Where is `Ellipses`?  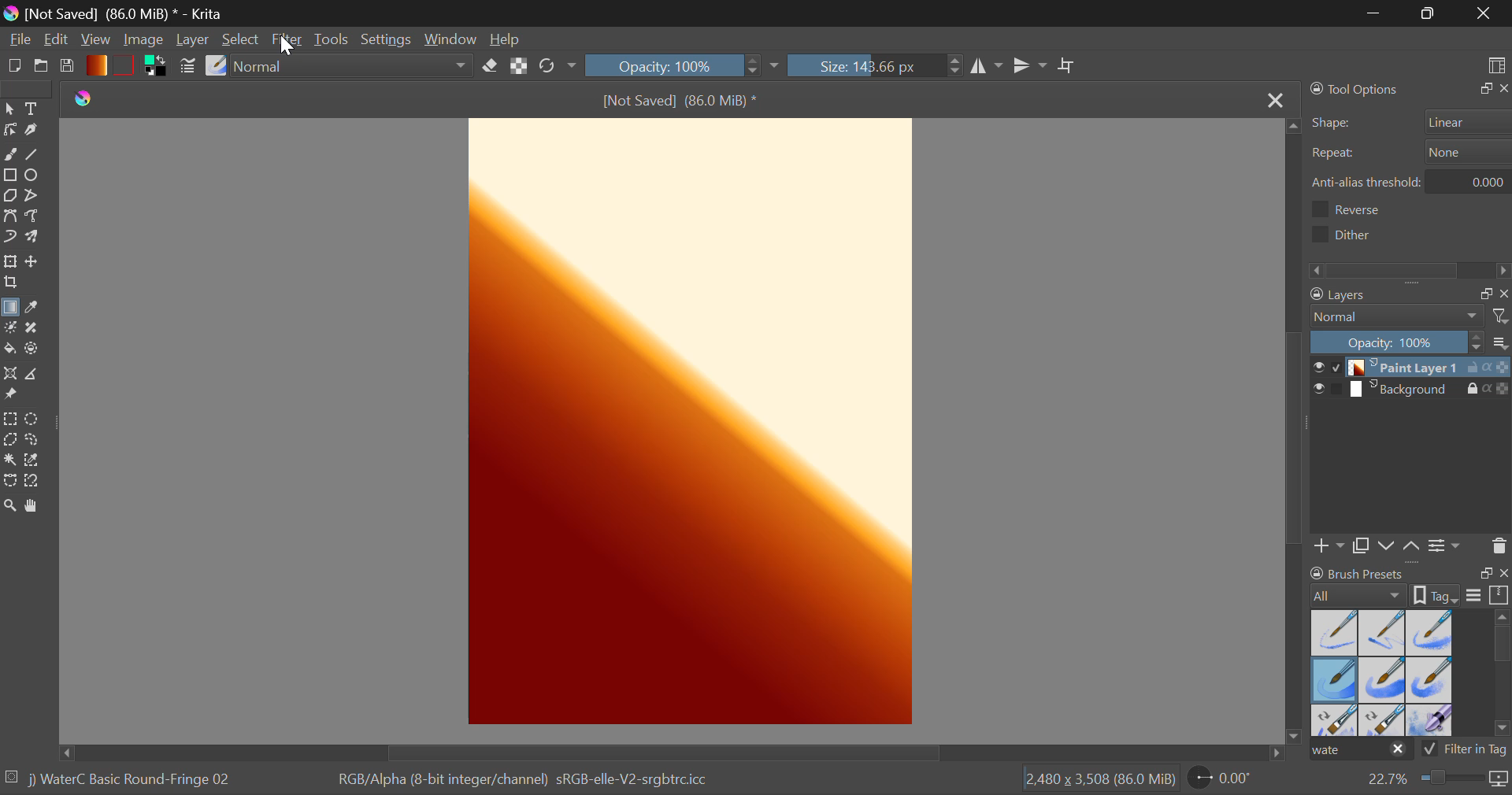
Ellipses is located at coordinates (37, 176).